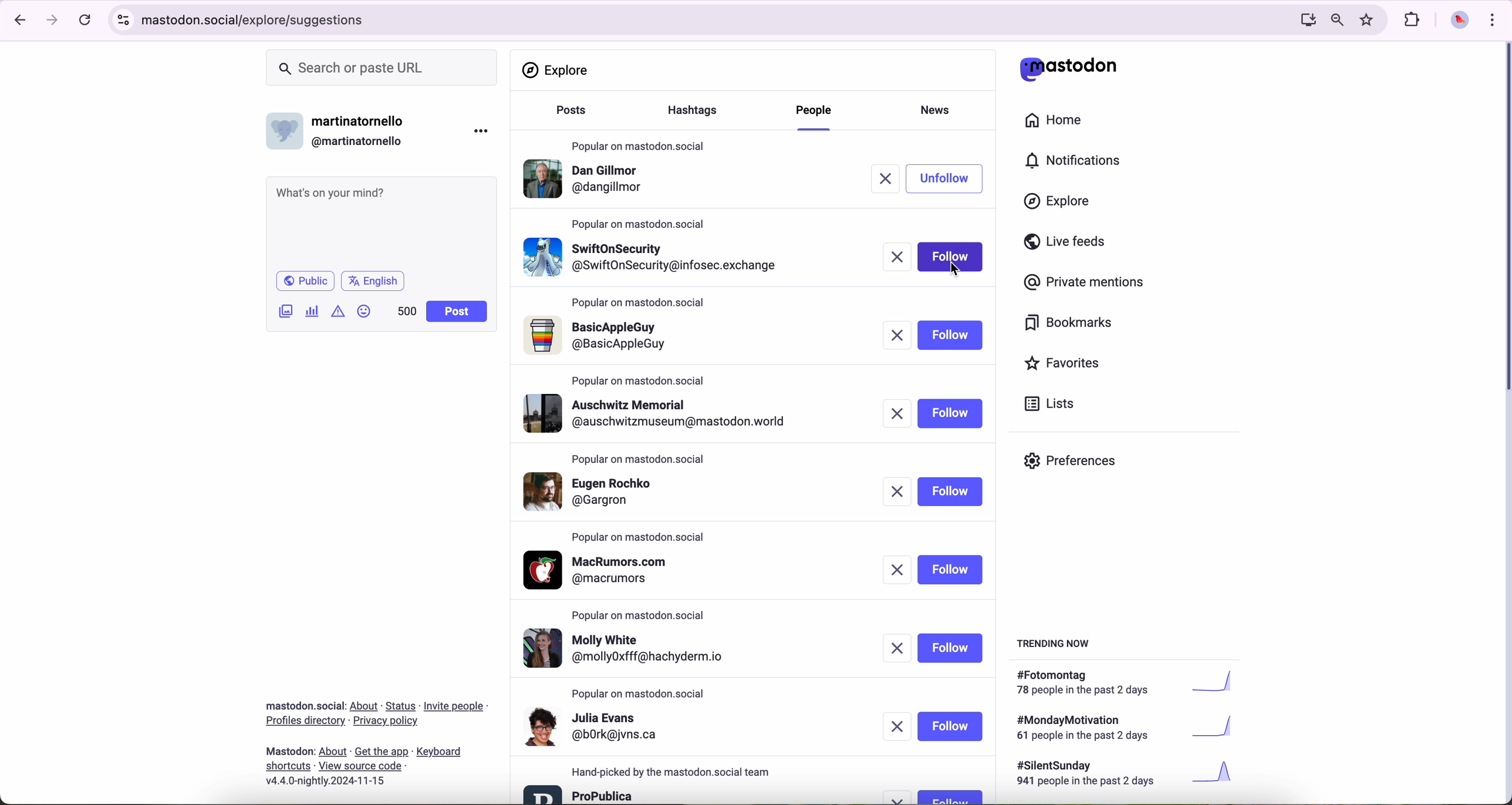 The height and width of the screenshot is (805, 1512). I want to click on popular on mastodon.social, so click(642, 223).